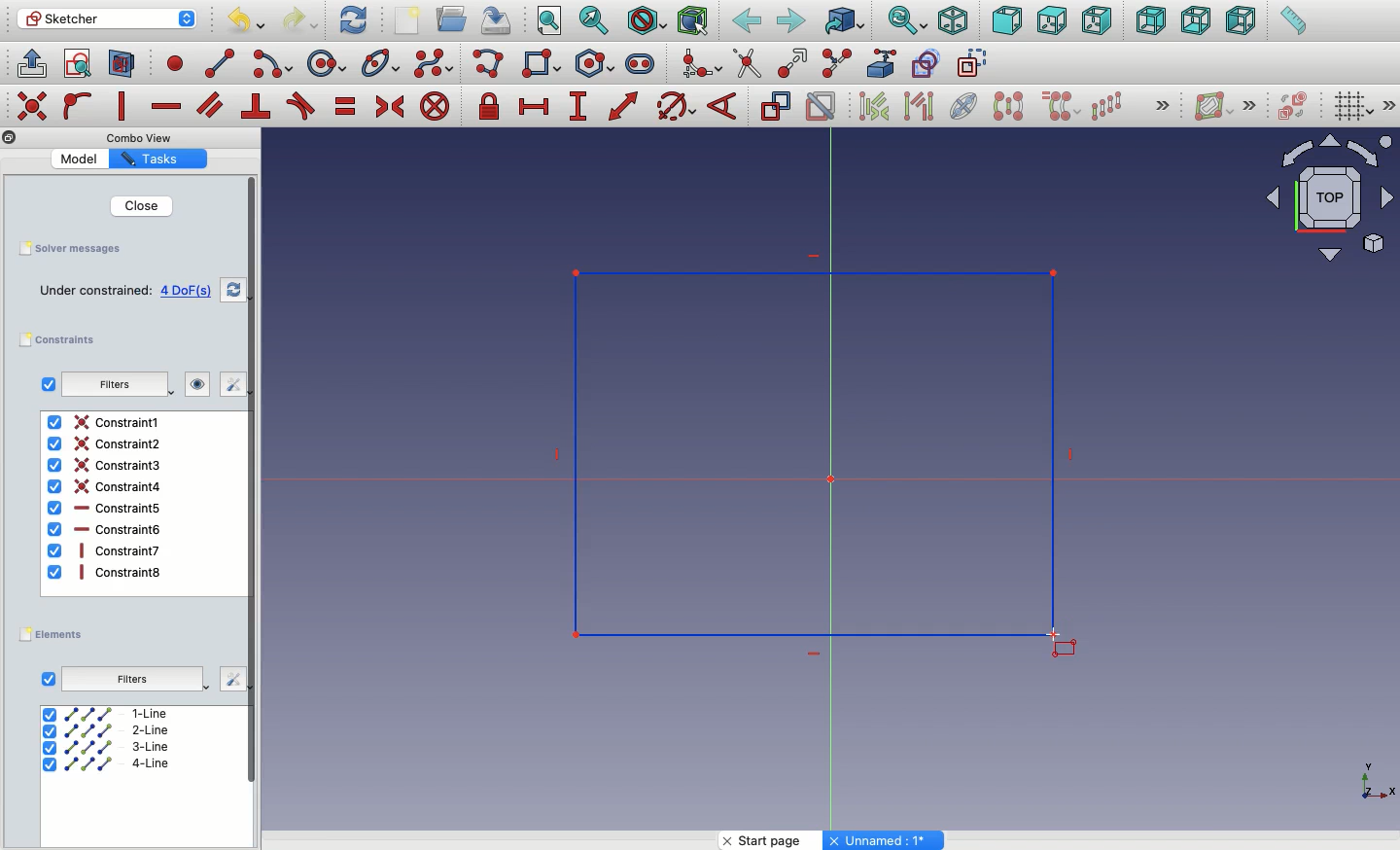  I want to click on Constraint8, so click(106, 572).